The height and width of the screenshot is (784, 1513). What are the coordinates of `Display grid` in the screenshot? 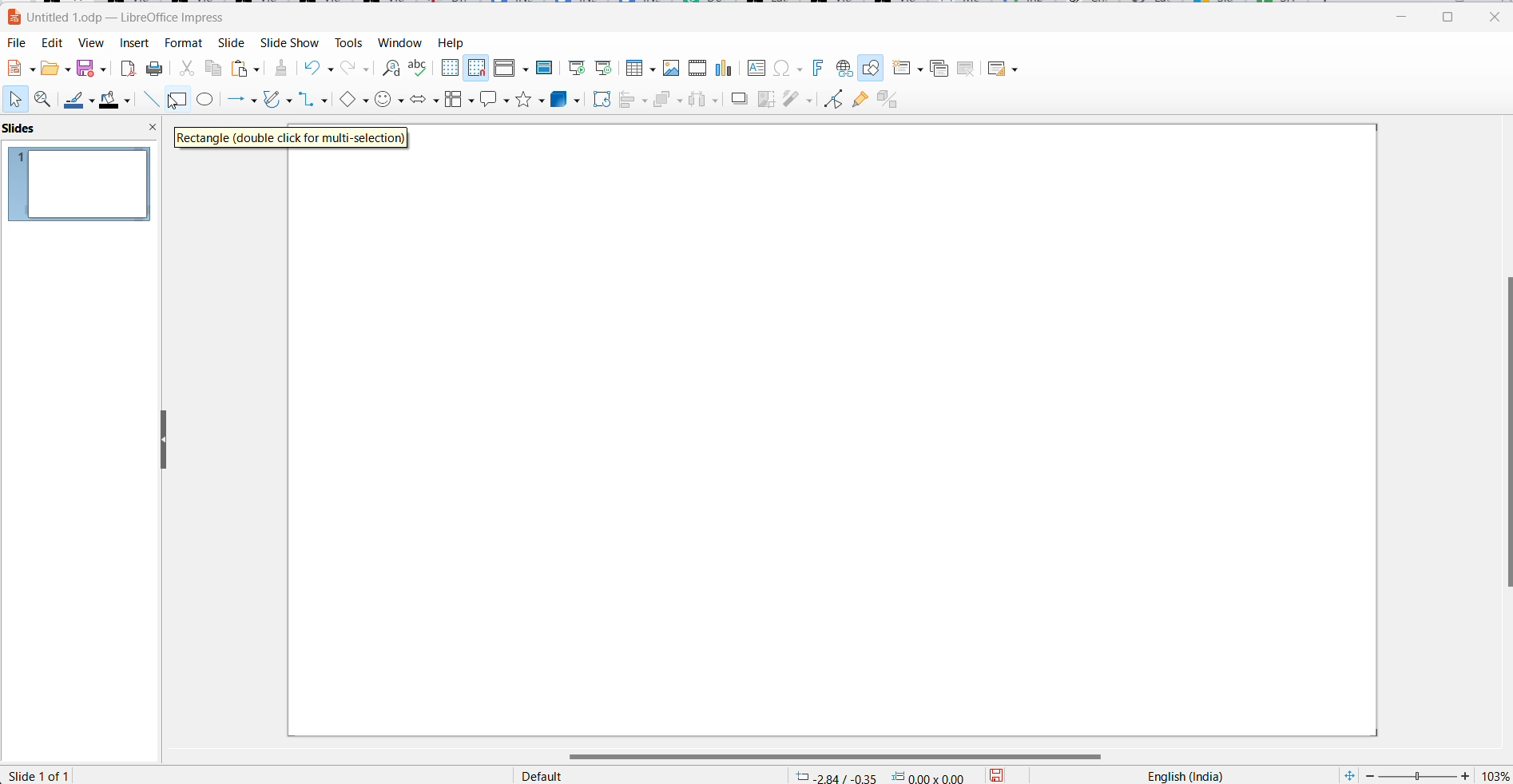 It's located at (450, 66).